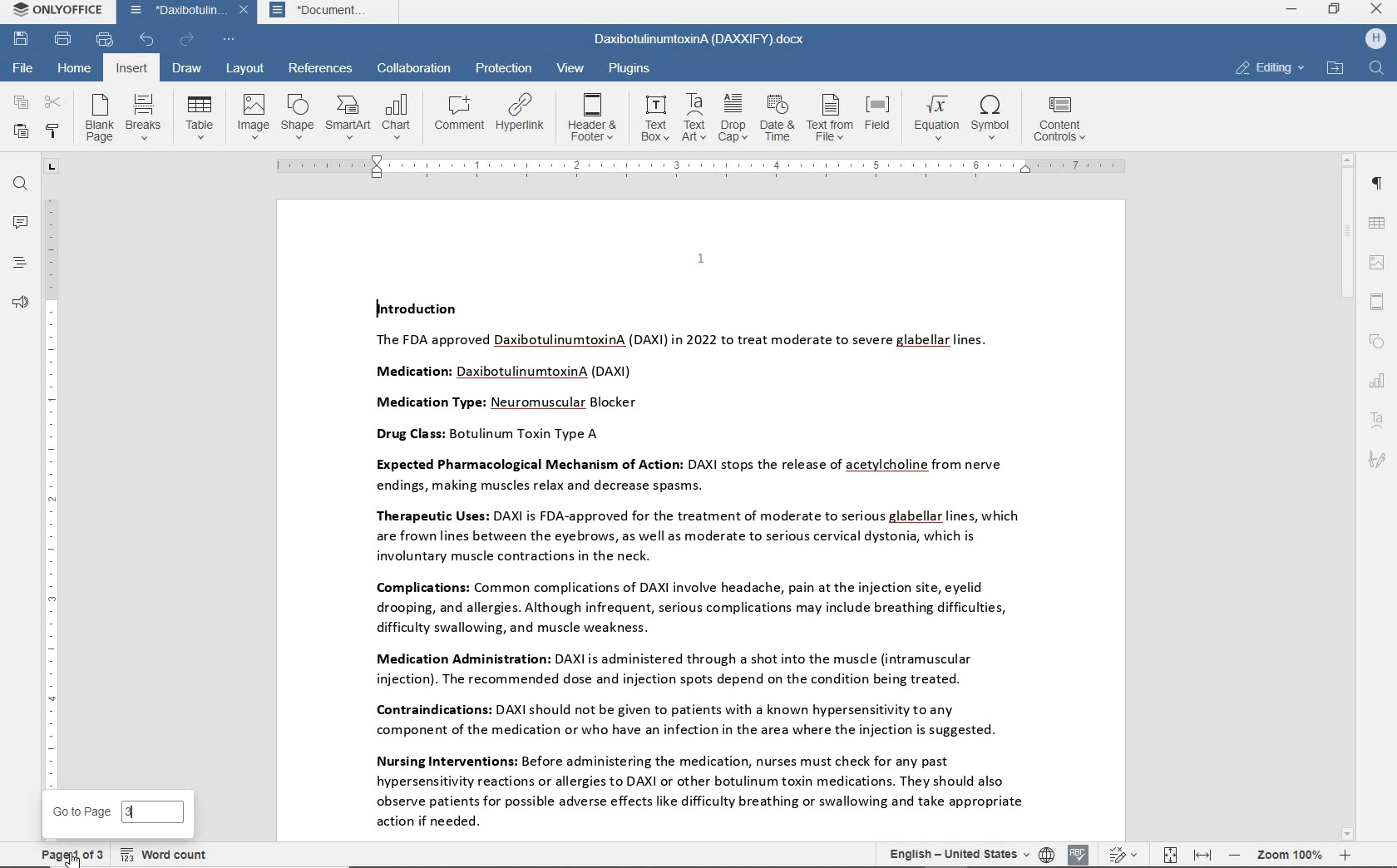 The height and width of the screenshot is (868, 1397). What do you see at coordinates (502, 68) in the screenshot?
I see `protection` at bounding box center [502, 68].